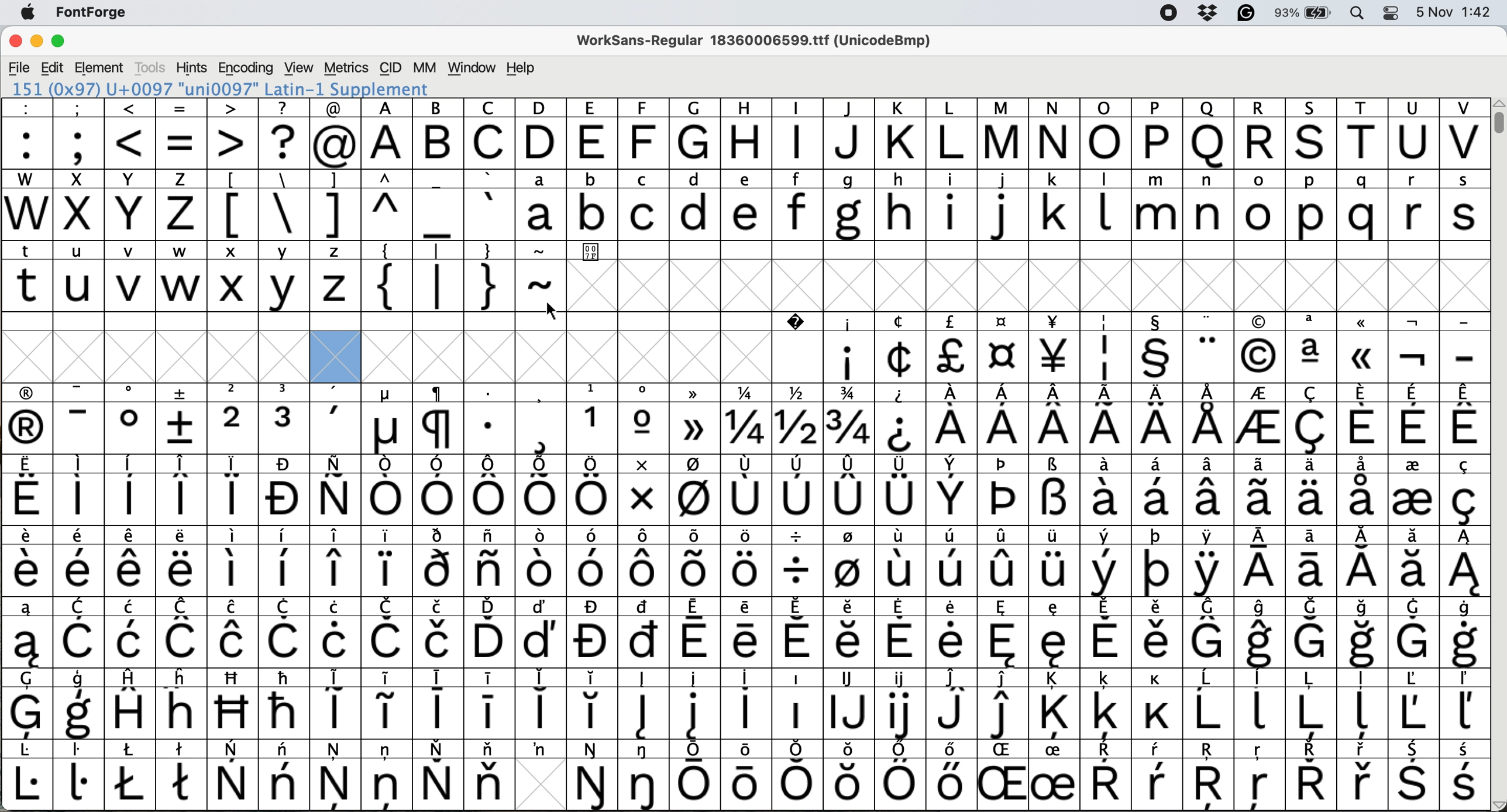 The image size is (1507, 812). What do you see at coordinates (848, 562) in the screenshot?
I see `symbol` at bounding box center [848, 562].